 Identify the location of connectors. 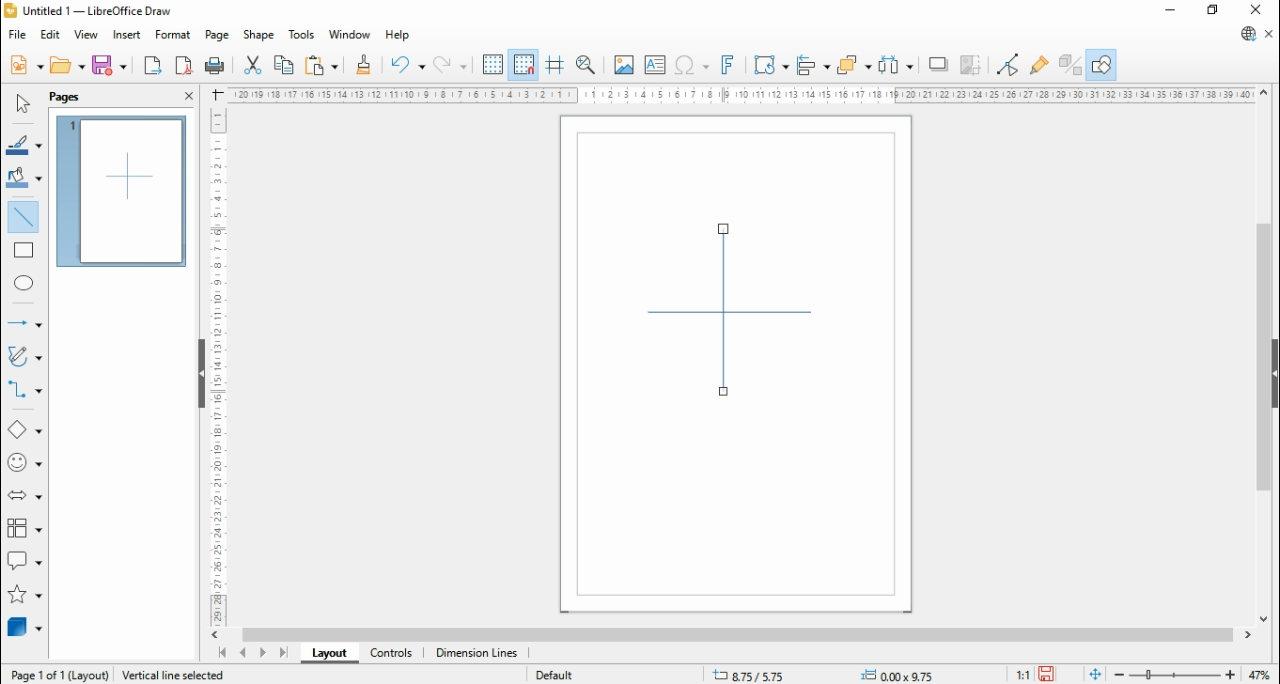
(24, 388).